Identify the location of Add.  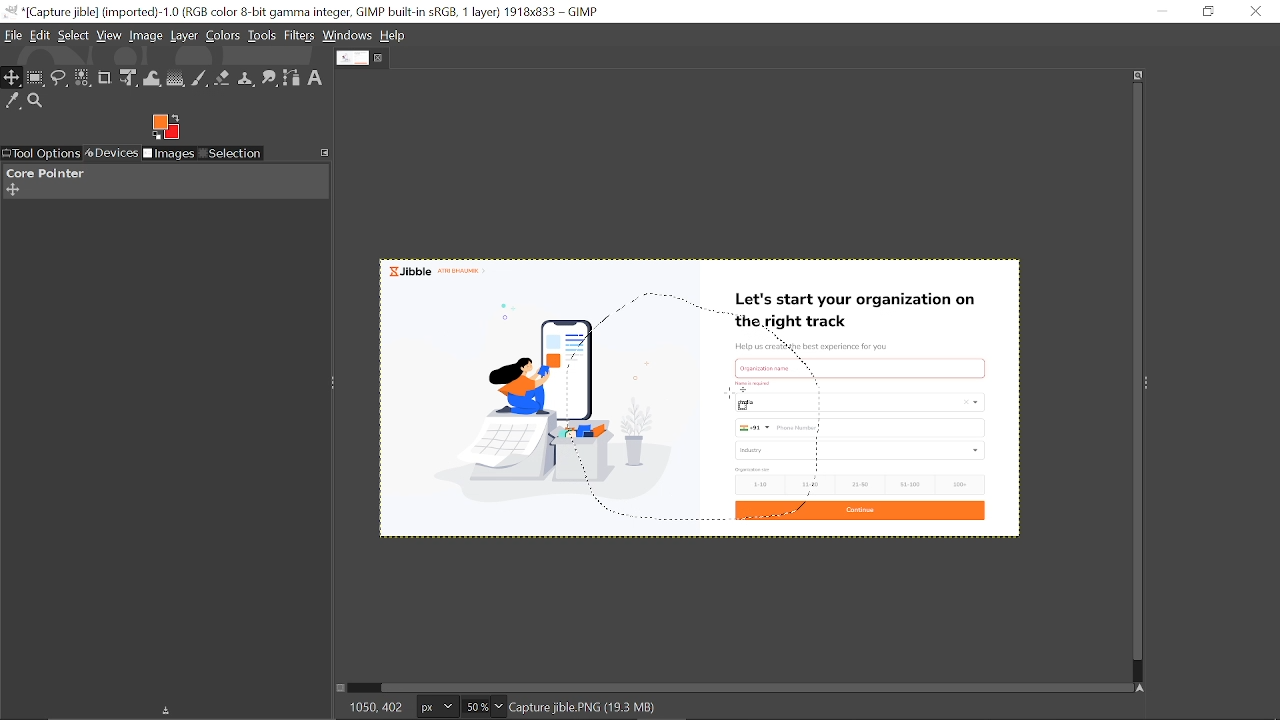
(12, 190).